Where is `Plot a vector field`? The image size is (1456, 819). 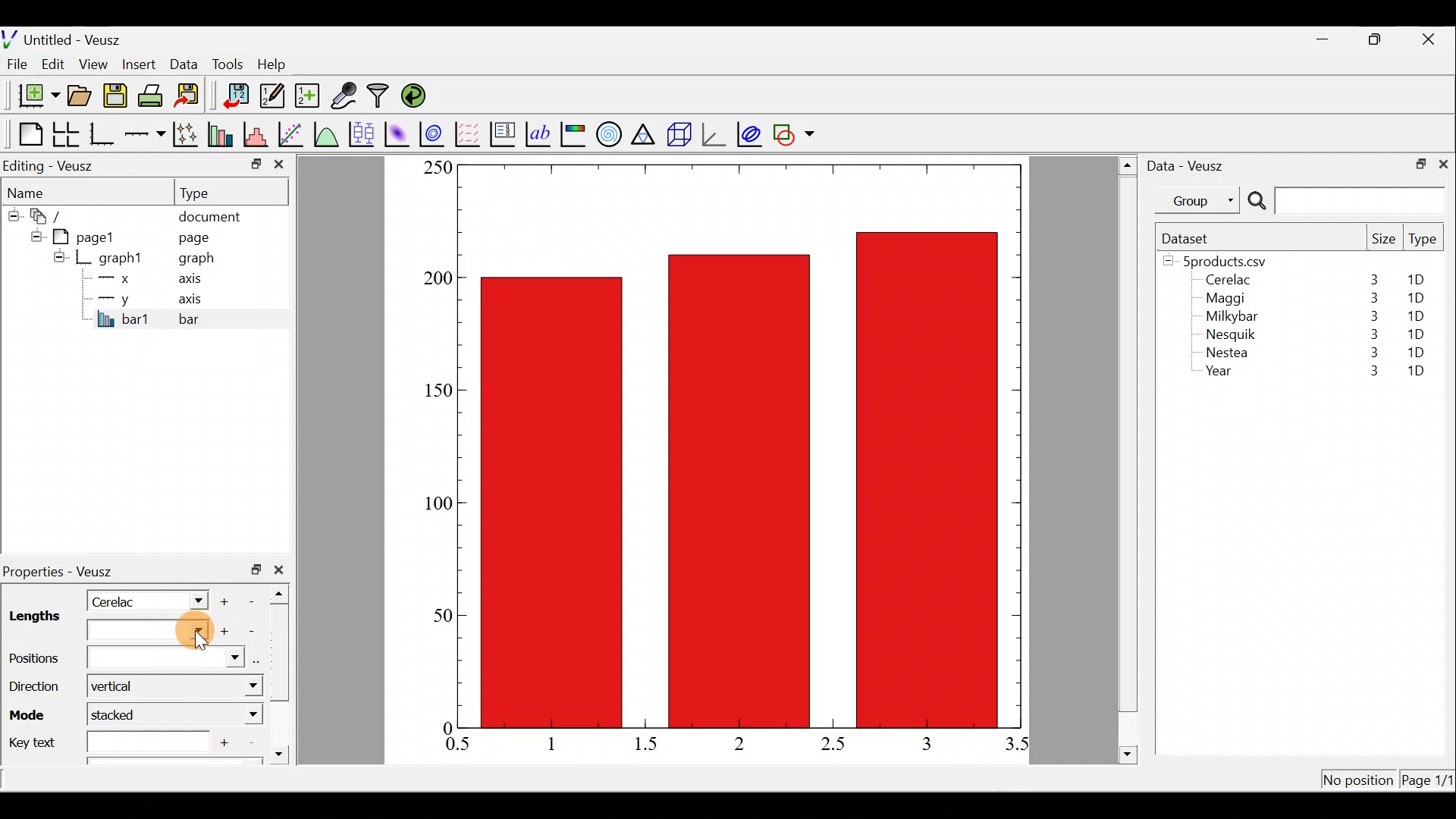
Plot a vector field is located at coordinates (470, 134).